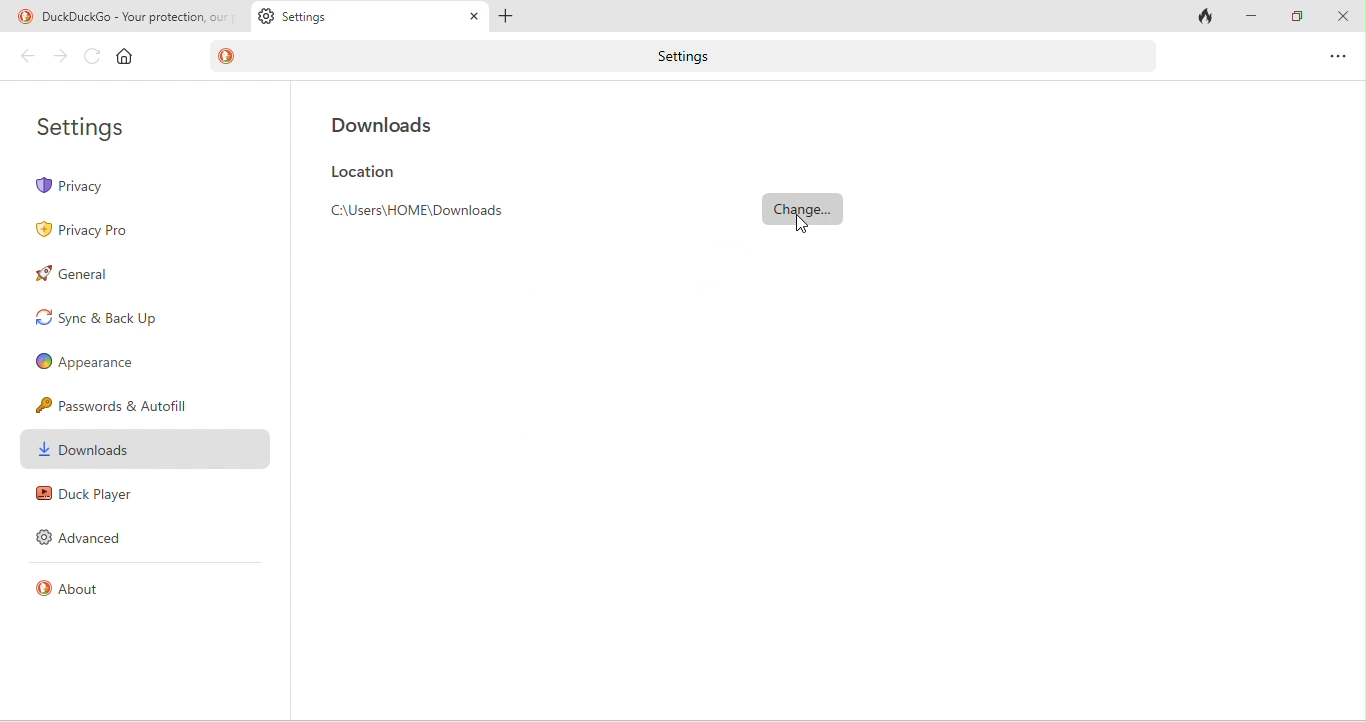 The height and width of the screenshot is (722, 1366). What do you see at coordinates (129, 56) in the screenshot?
I see `home` at bounding box center [129, 56].